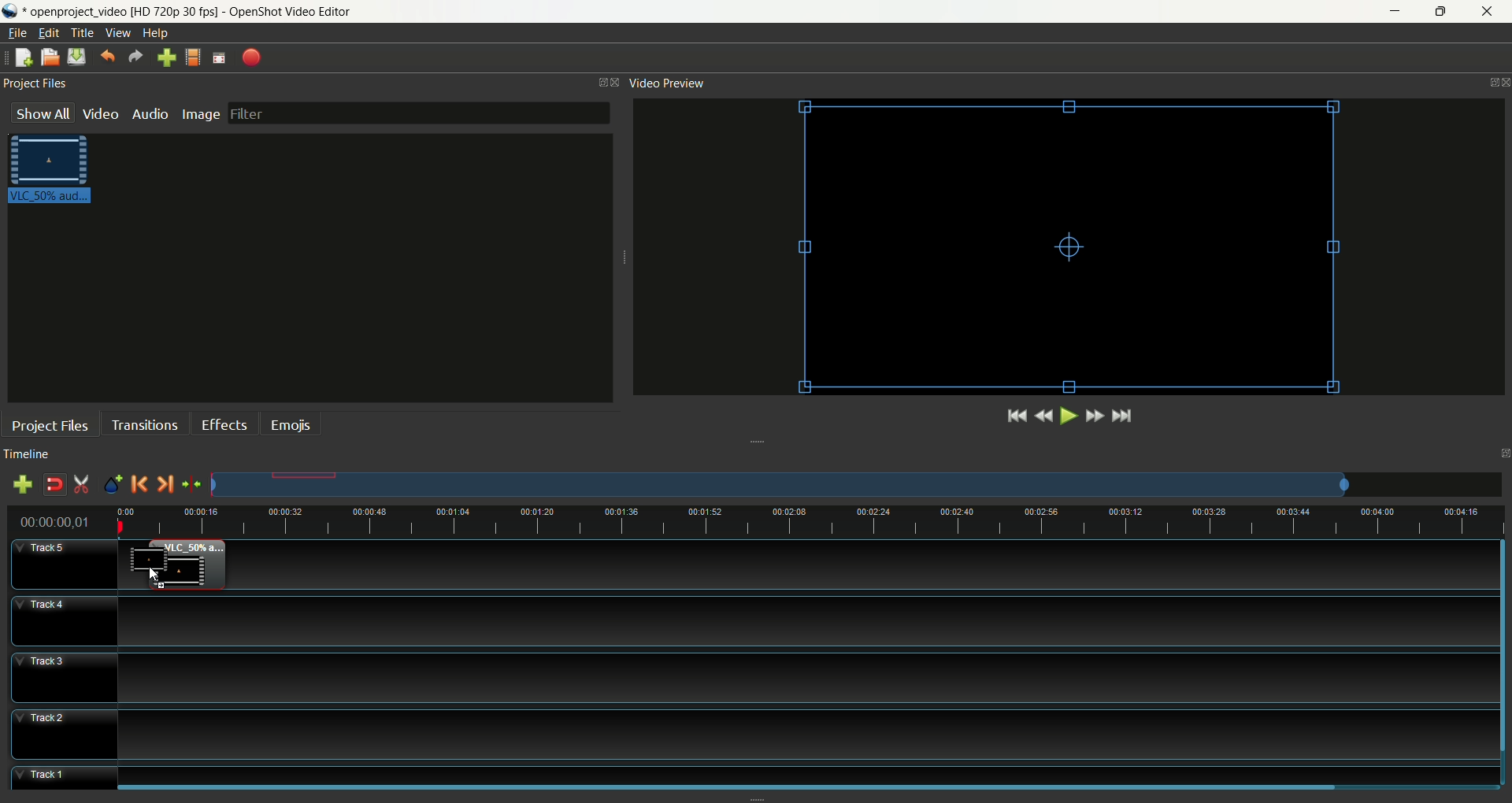 This screenshot has height=803, width=1512. I want to click on video clip, so click(204, 568).